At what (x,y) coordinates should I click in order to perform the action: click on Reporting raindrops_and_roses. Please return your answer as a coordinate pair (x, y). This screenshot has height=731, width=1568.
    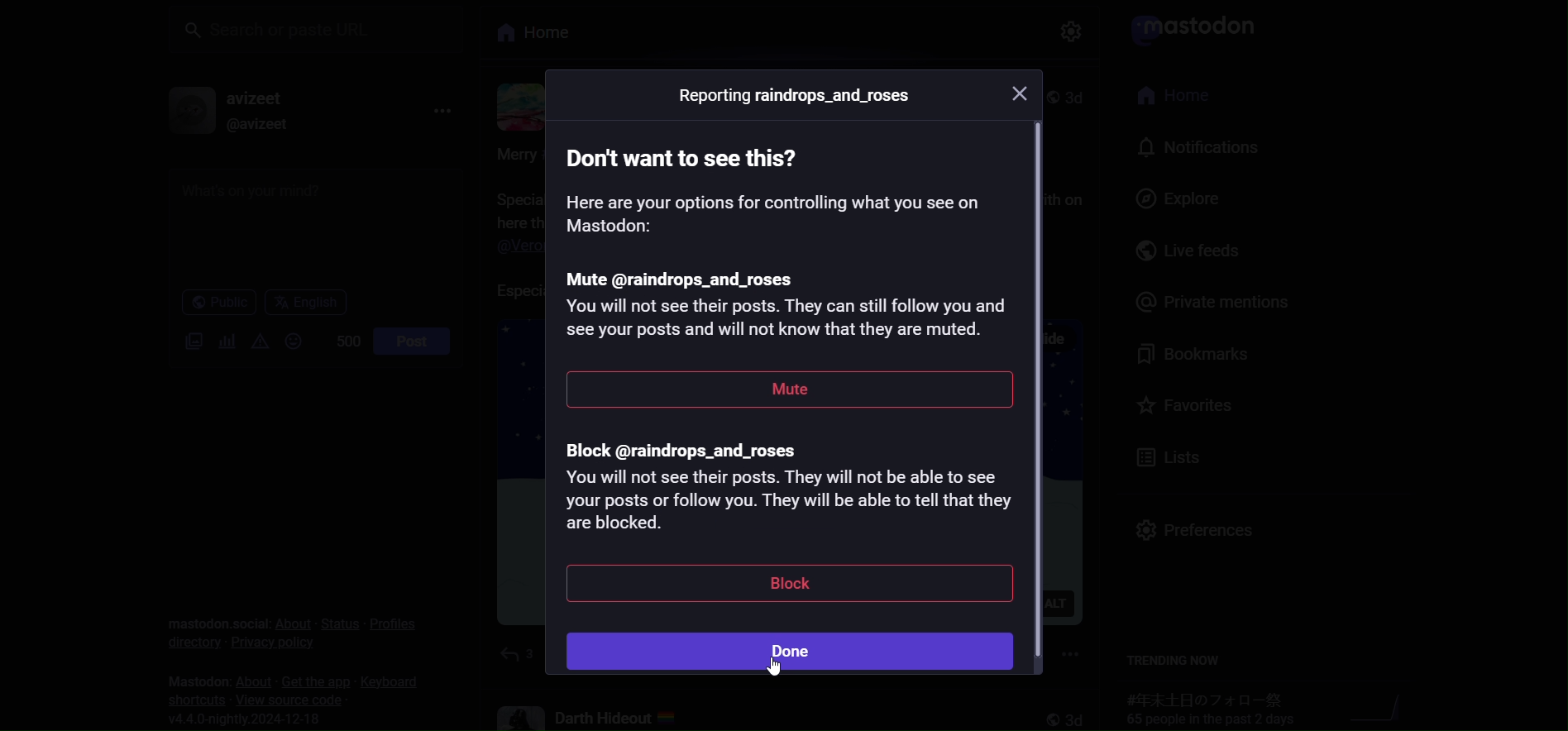
    Looking at the image, I should click on (791, 96).